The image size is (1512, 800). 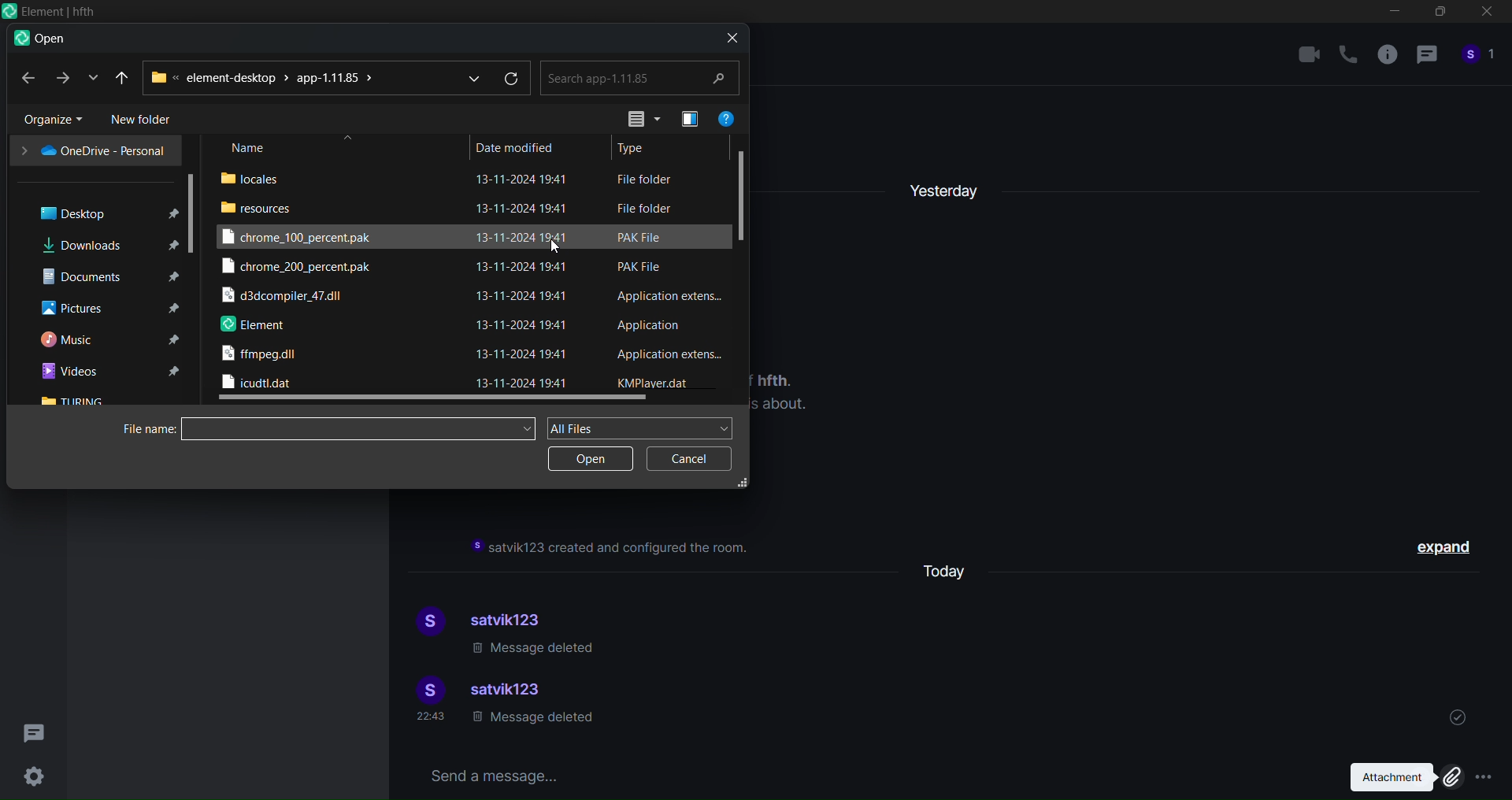 I want to click on scroll bar, so click(x=194, y=212).